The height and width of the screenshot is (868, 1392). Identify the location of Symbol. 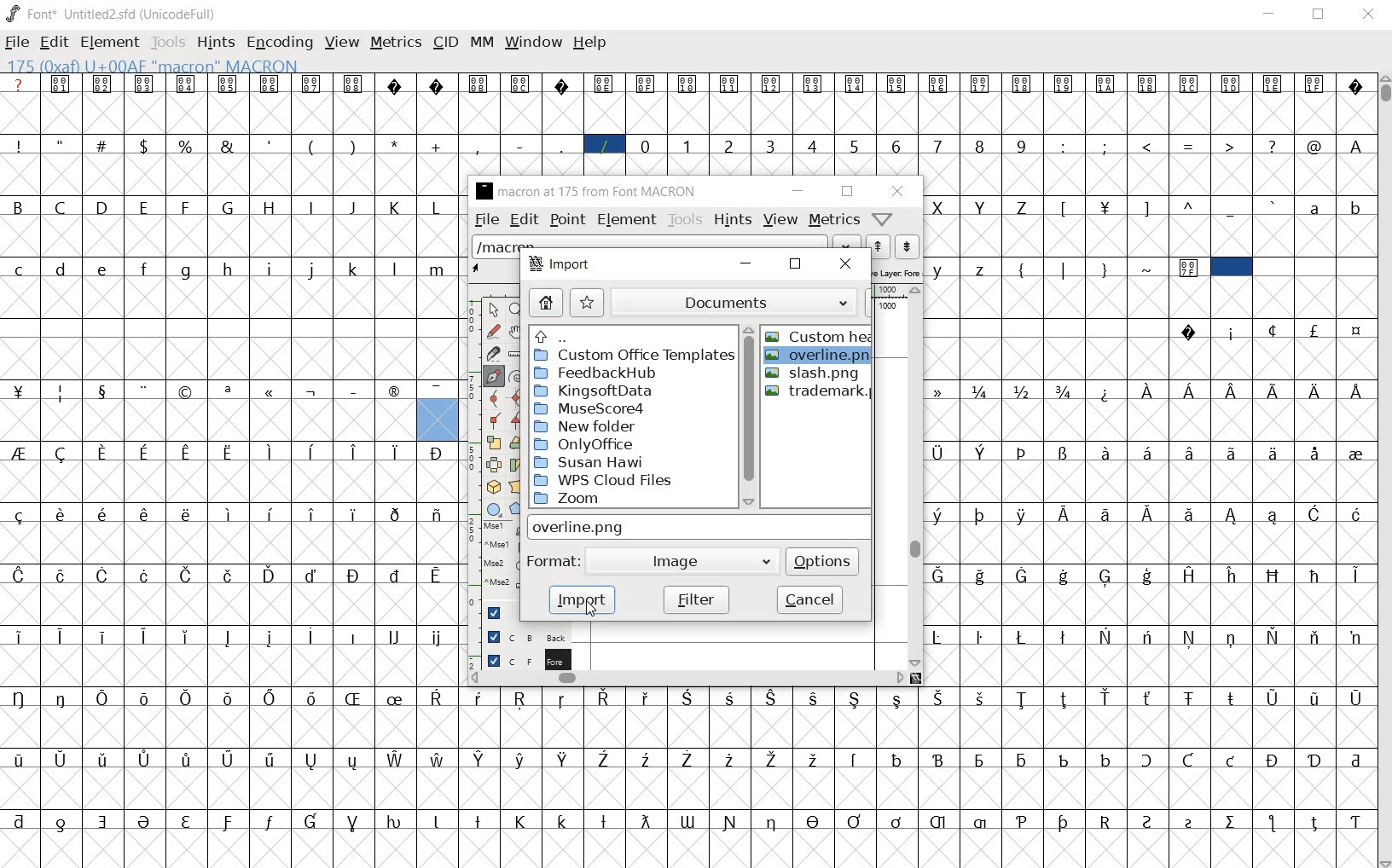
(1230, 821).